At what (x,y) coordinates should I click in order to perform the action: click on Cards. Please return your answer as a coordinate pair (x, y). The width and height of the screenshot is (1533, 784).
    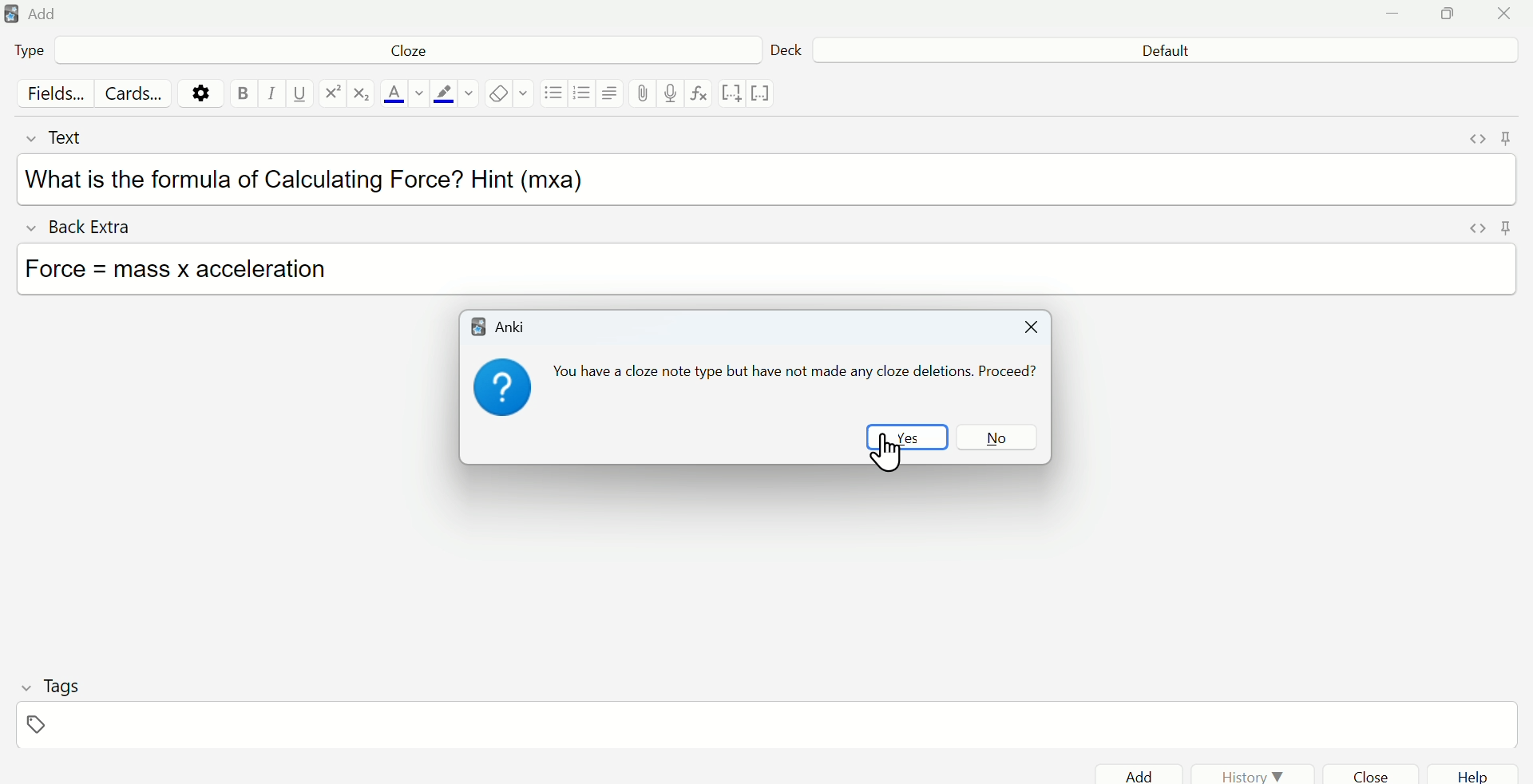
    Looking at the image, I should click on (135, 94).